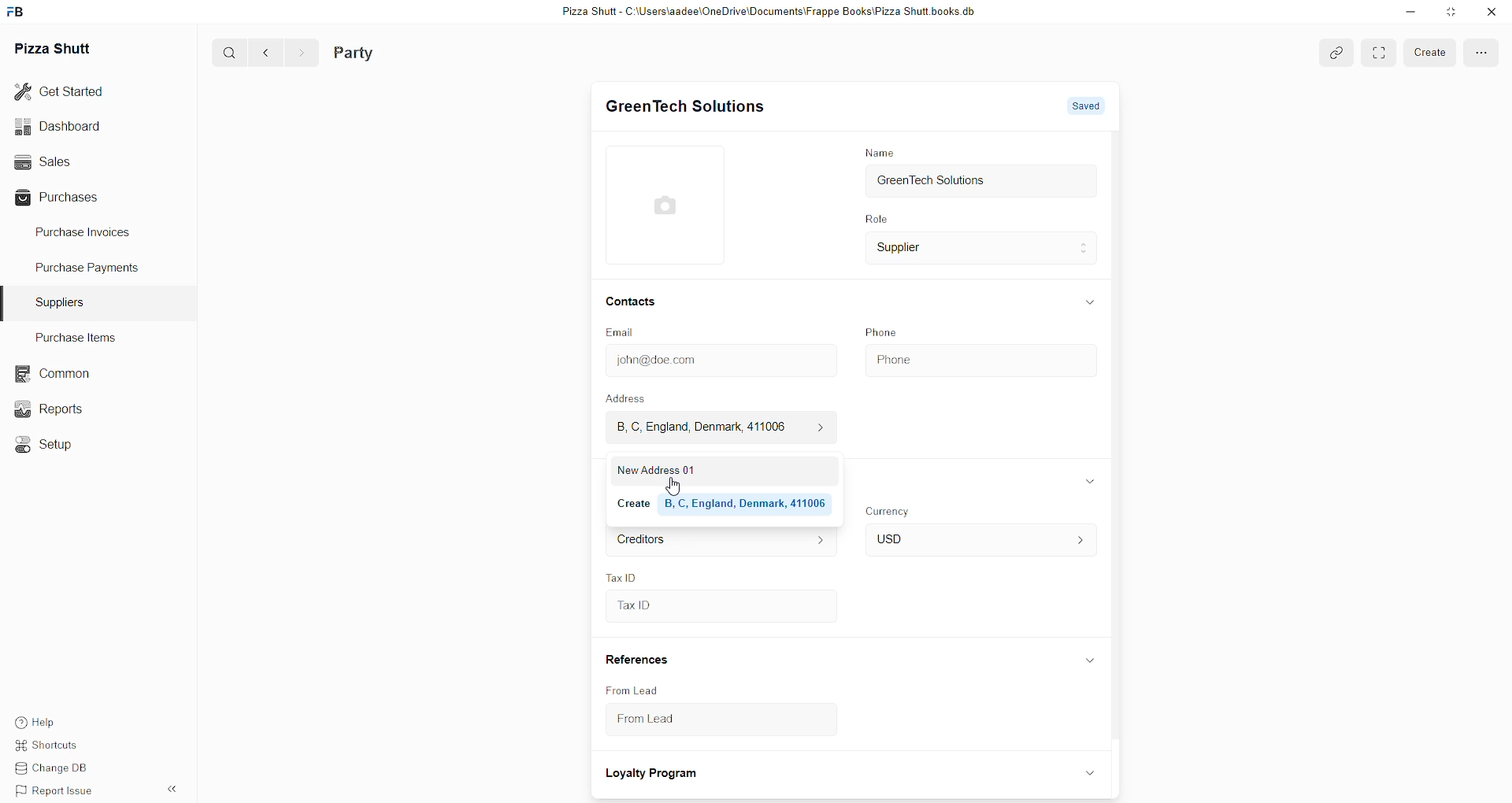  Describe the element at coordinates (1480, 54) in the screenshot. I see `fullscreen` at that location.